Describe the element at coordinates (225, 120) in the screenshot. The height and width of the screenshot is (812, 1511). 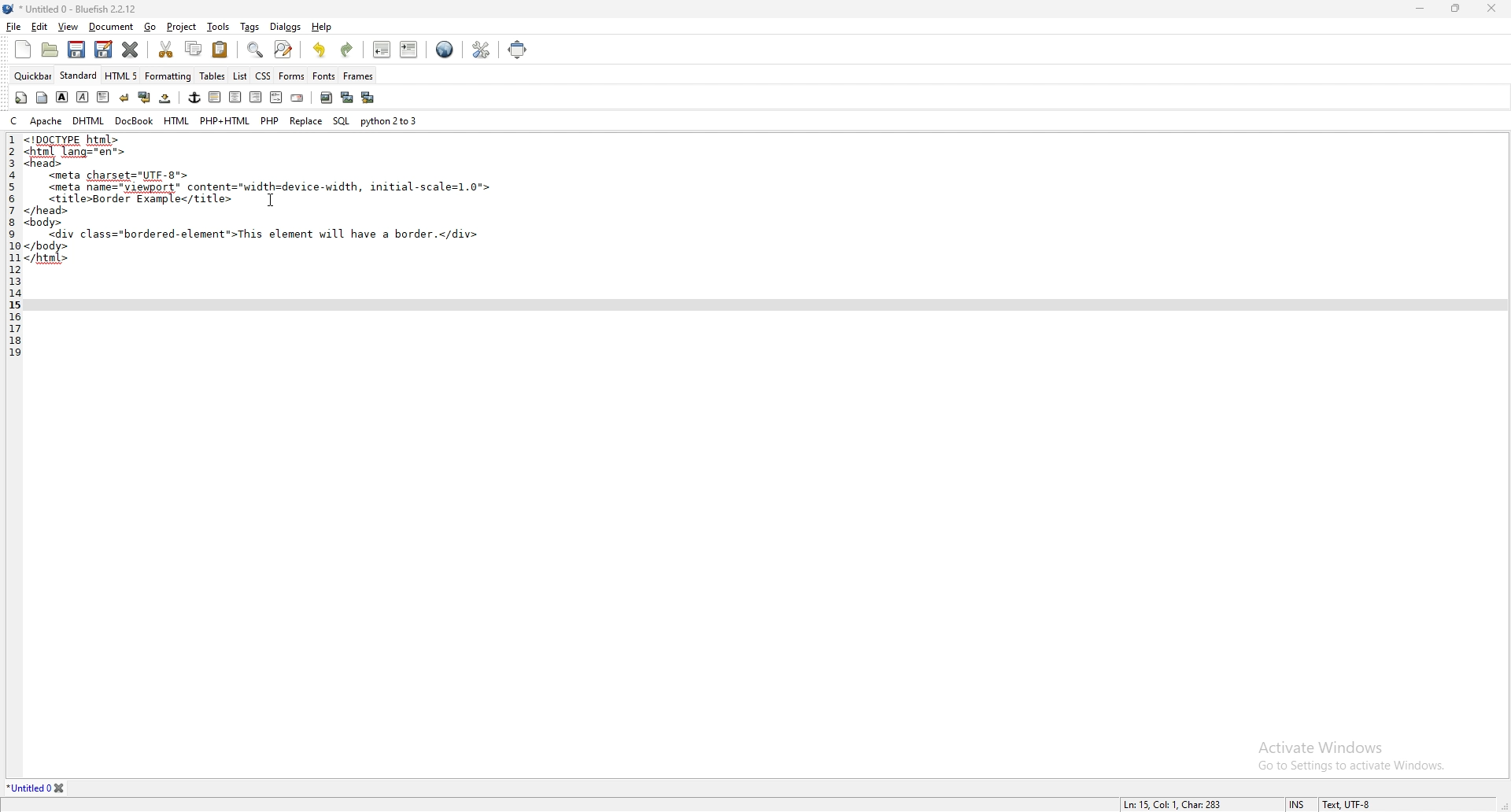
I see `php+html` at that location.